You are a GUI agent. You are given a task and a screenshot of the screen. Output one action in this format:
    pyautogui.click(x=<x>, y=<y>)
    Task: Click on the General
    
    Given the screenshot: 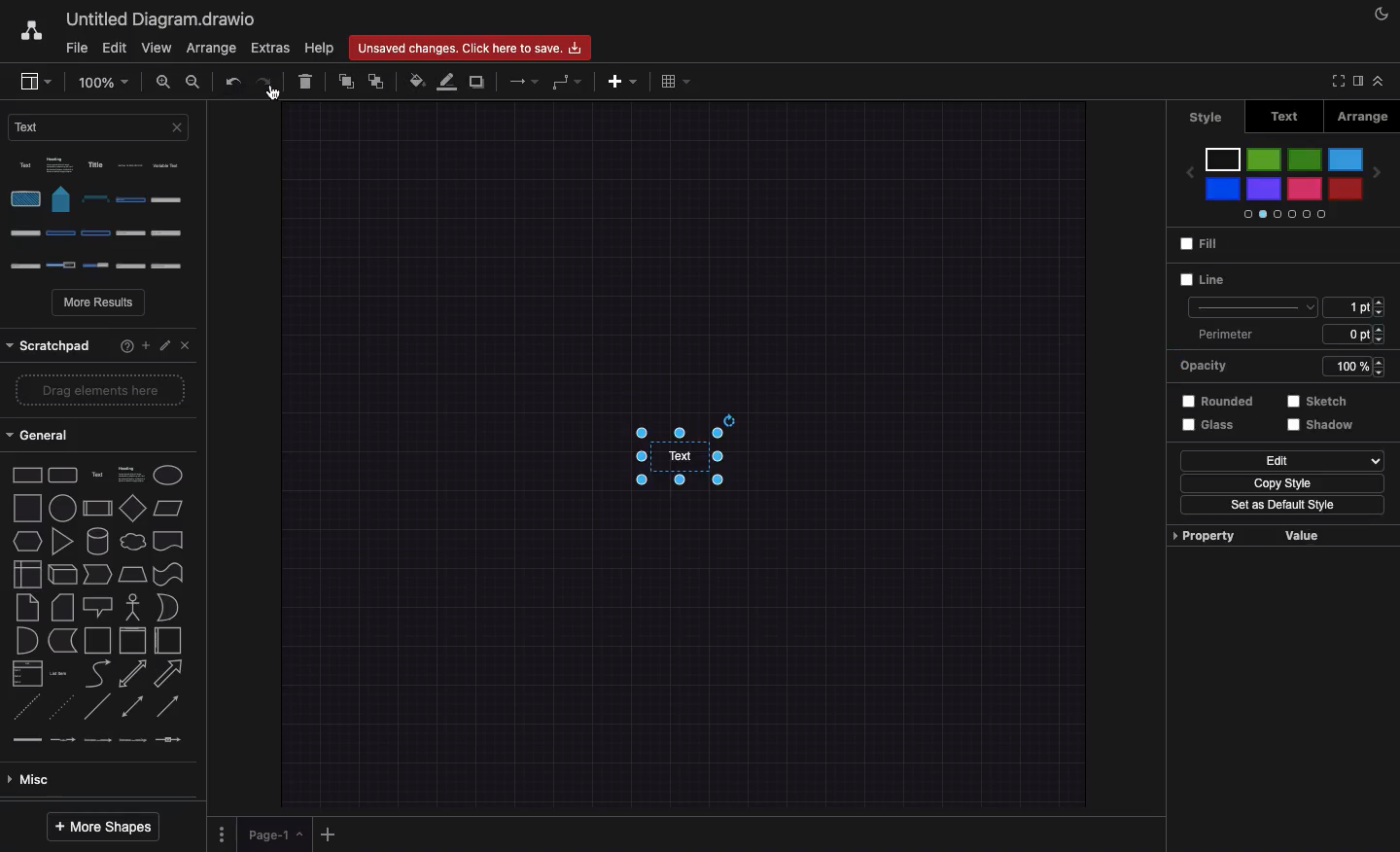 What is the action you would take?
    pyautogui.click(x=46, y=436)
    